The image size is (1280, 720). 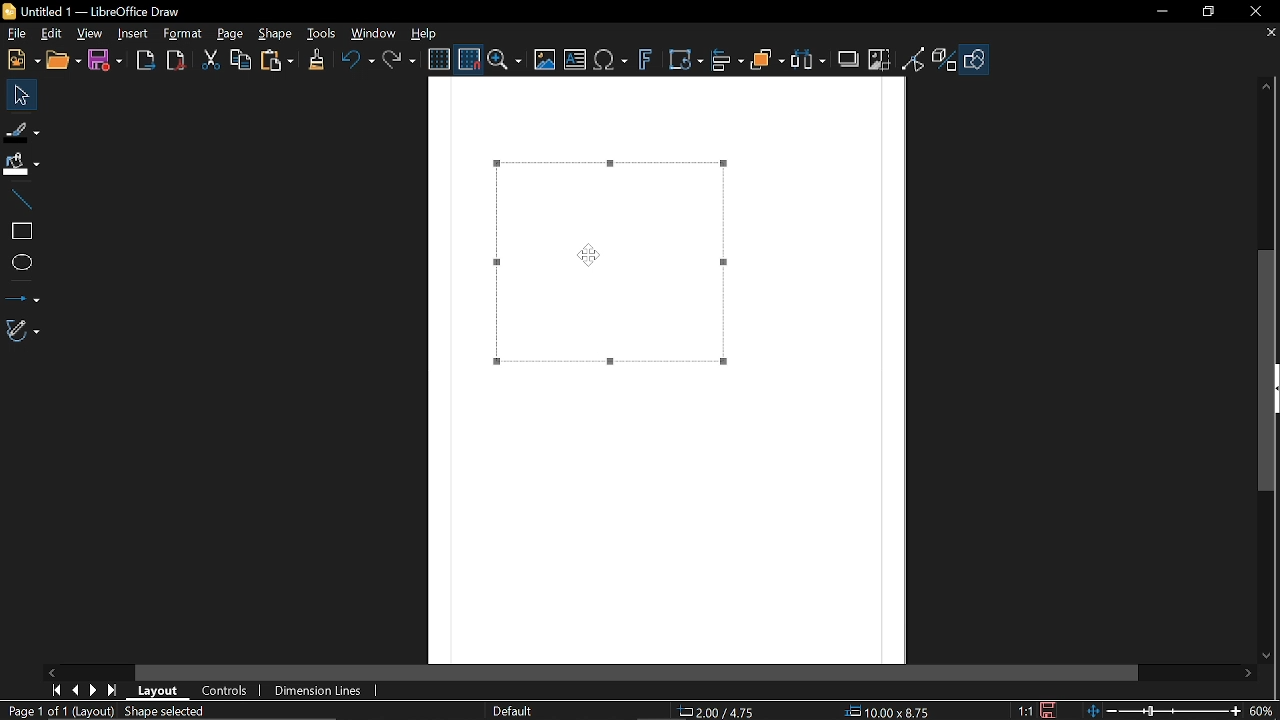 What do you see at coordinates (62, 61) in the screenshot?
I see `Open` at bounding box center [62, 61].